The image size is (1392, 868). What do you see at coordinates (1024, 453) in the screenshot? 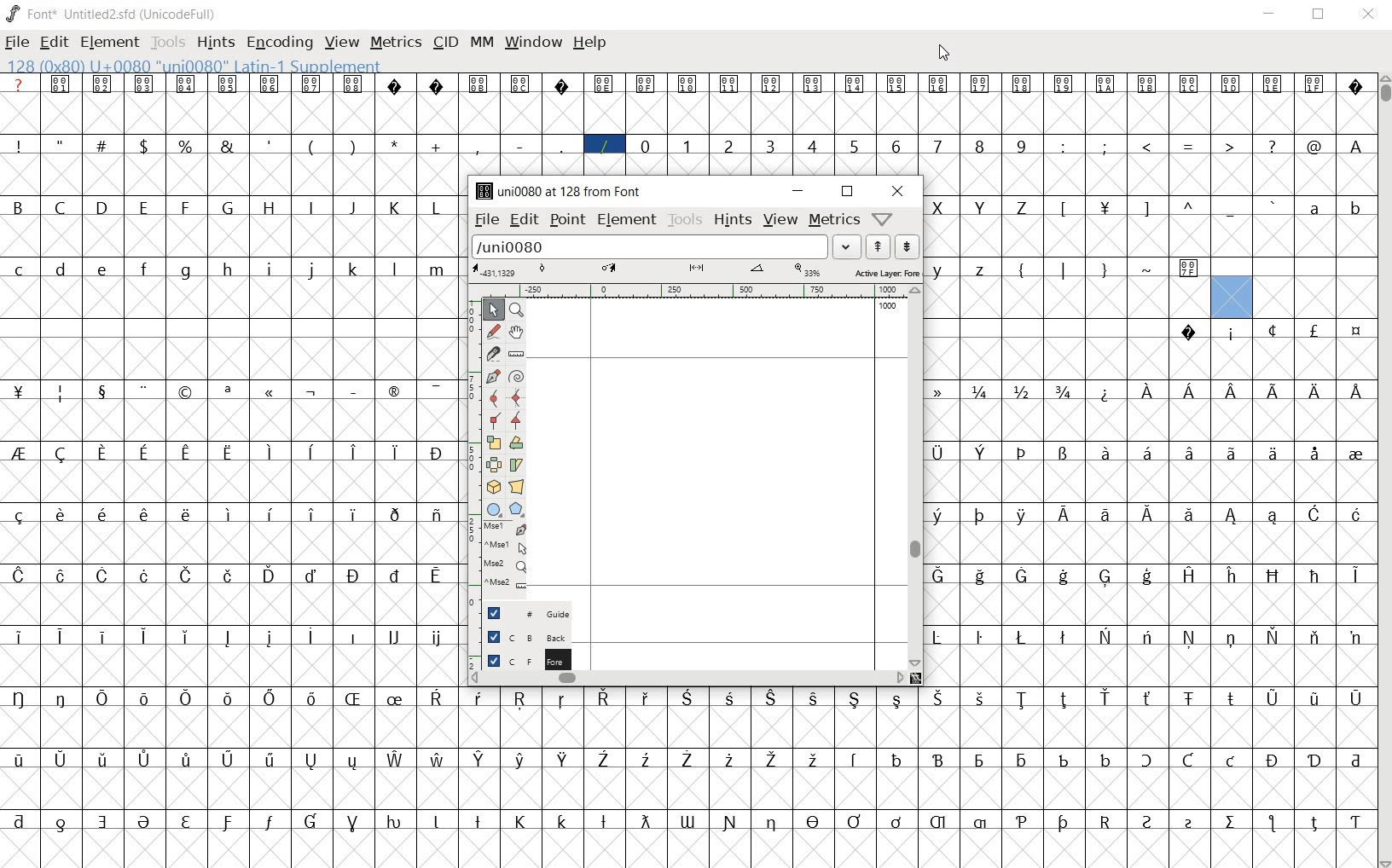
I see `glyph` at bounding box center [1024, 453].